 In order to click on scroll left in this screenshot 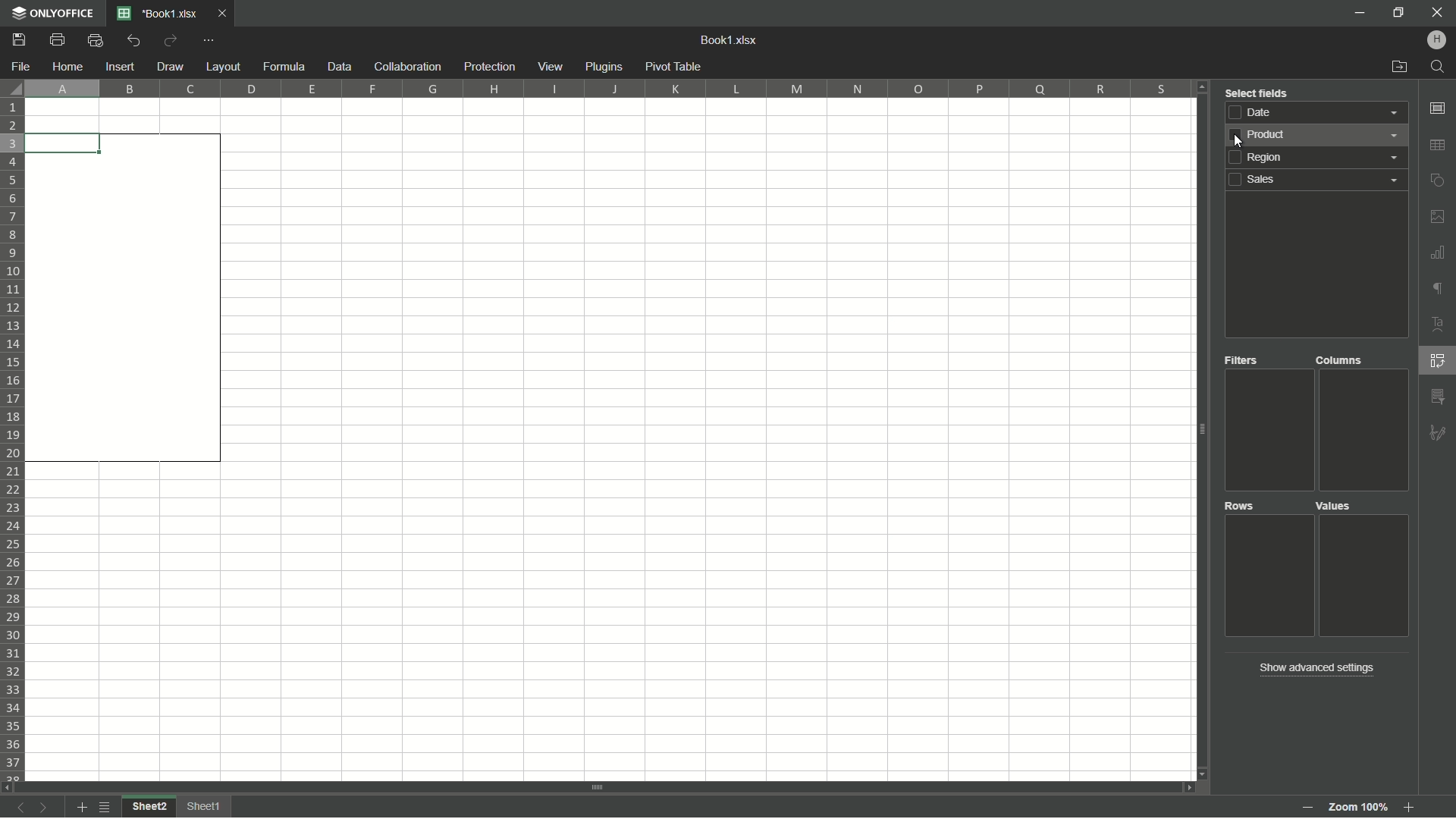, I will do `click(9, 786)`.